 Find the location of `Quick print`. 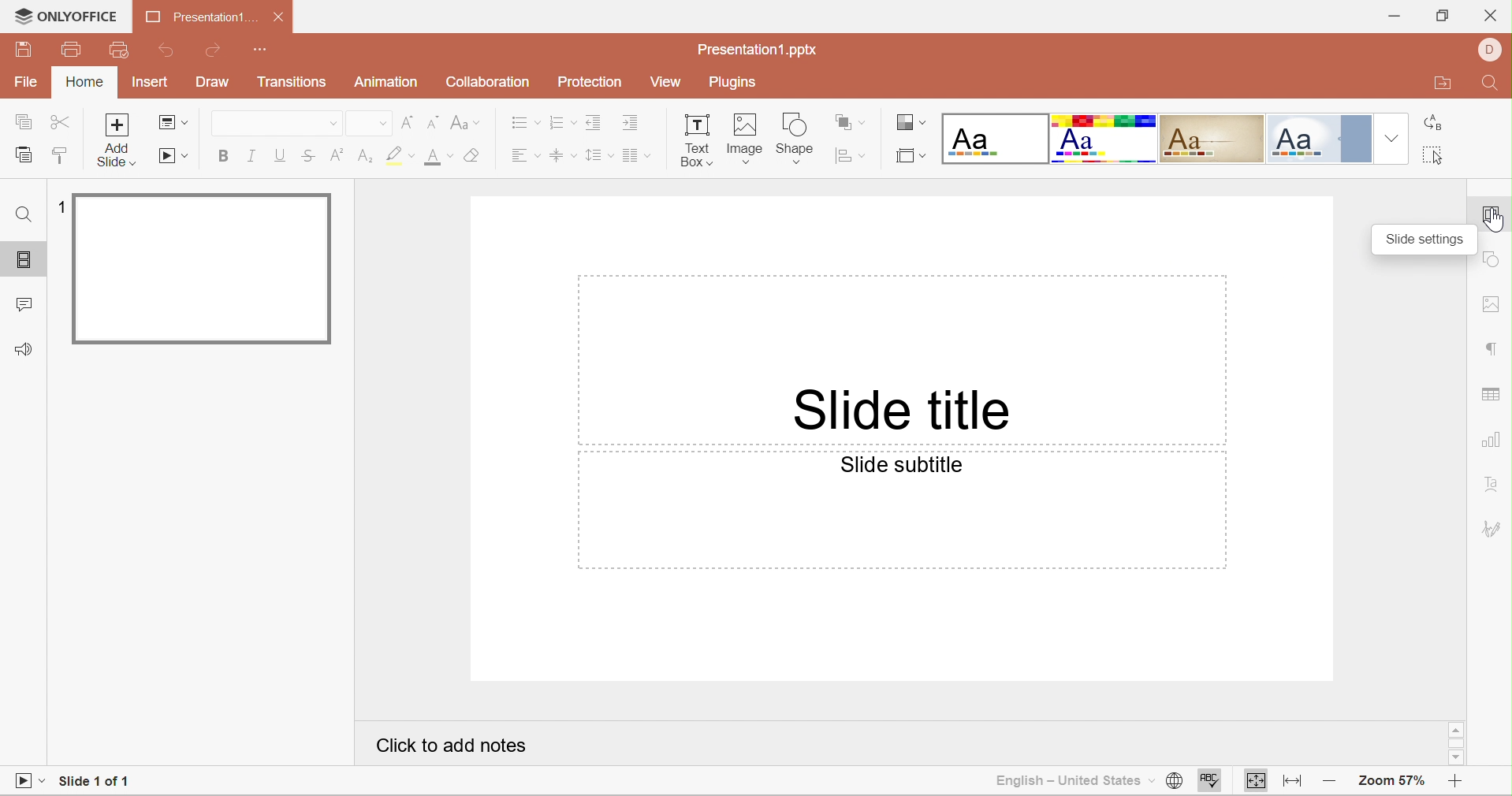

Quick print is located at coordinates (117, 50).